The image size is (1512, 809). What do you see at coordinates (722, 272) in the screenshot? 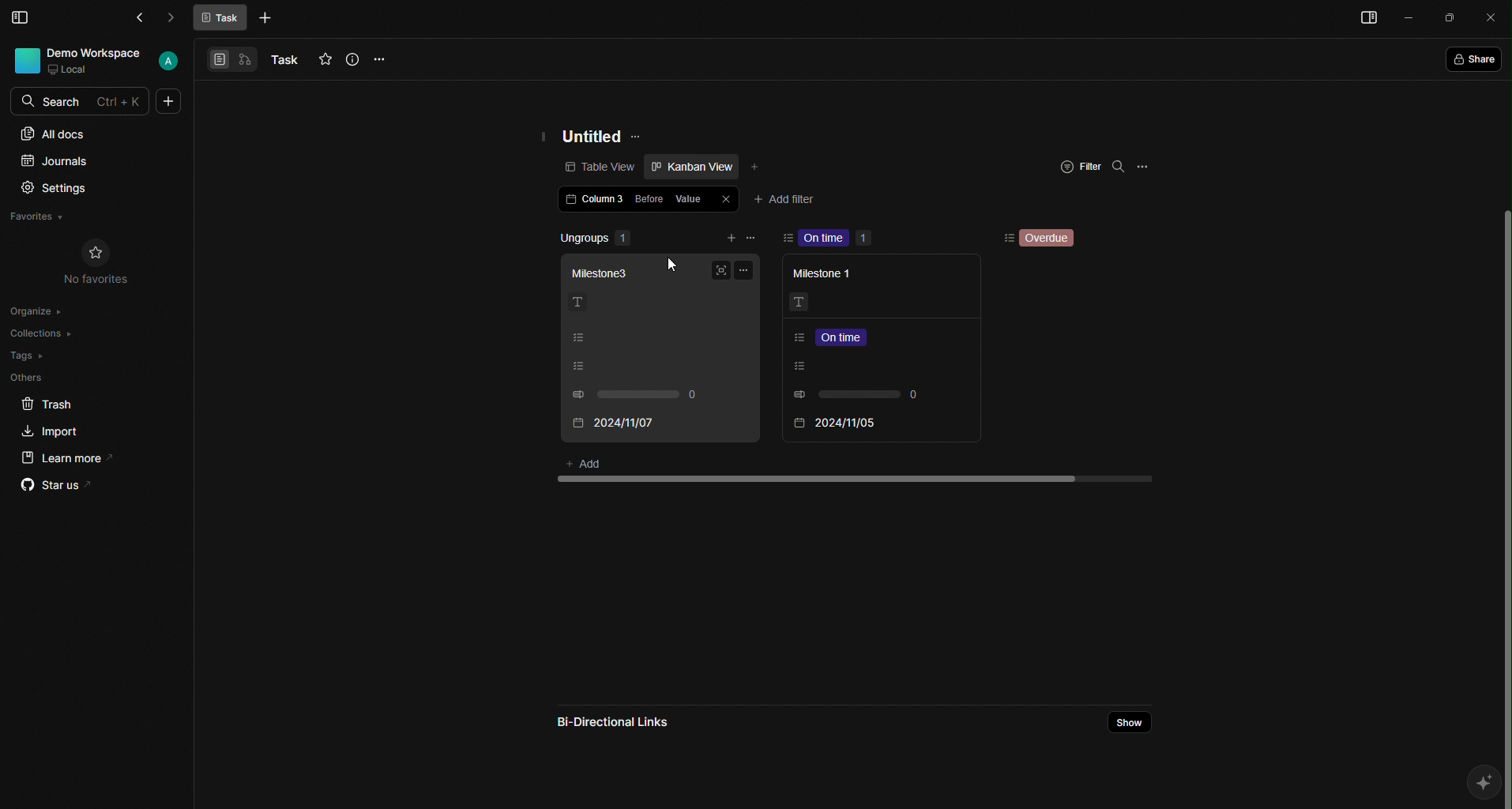
I see `Full screen` at bounding box center [722, 272].